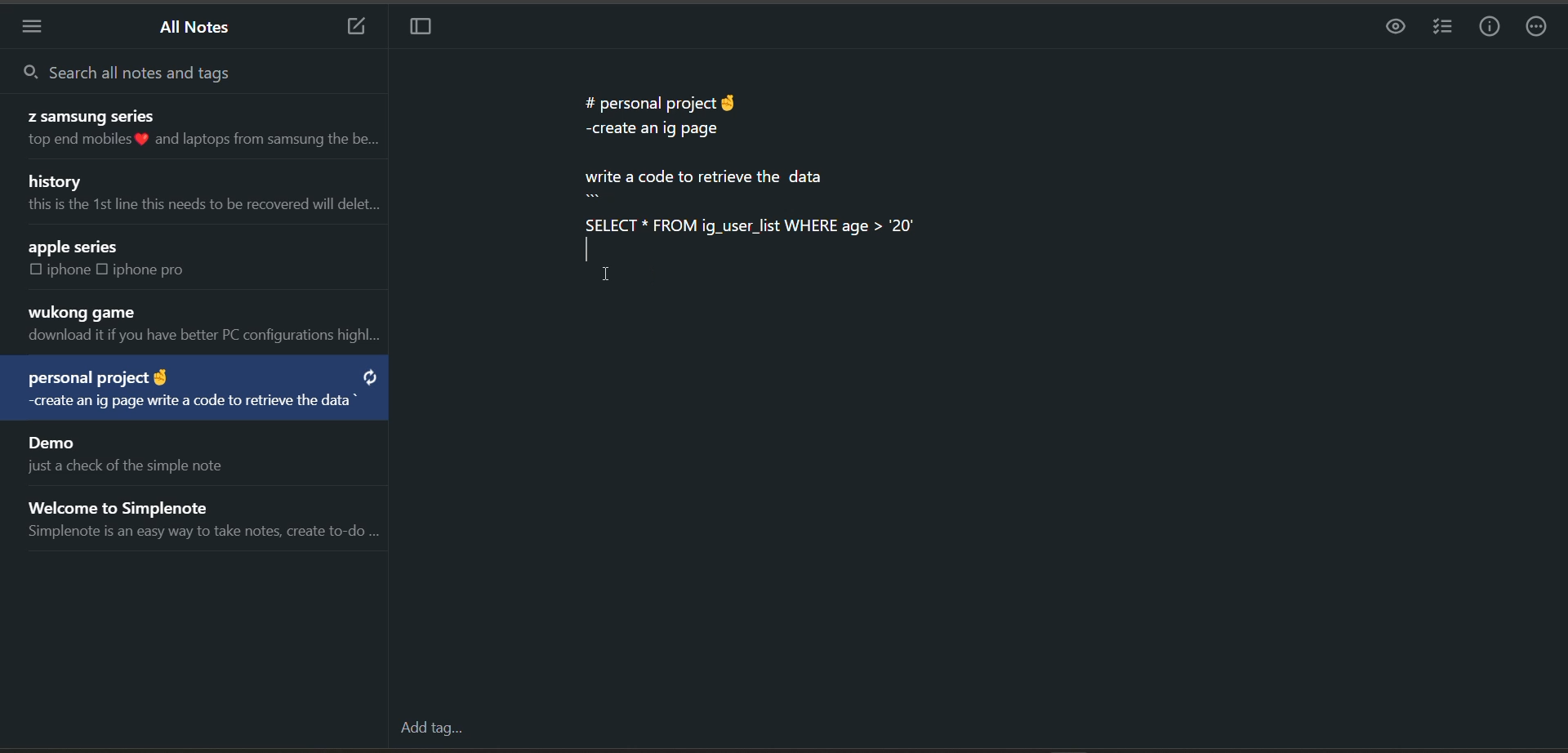 The height and width of the screenshot is (753, 1568). Describe the element at coordinates (207, 515) in the screenshot. I see `note title  and preview` at that location.